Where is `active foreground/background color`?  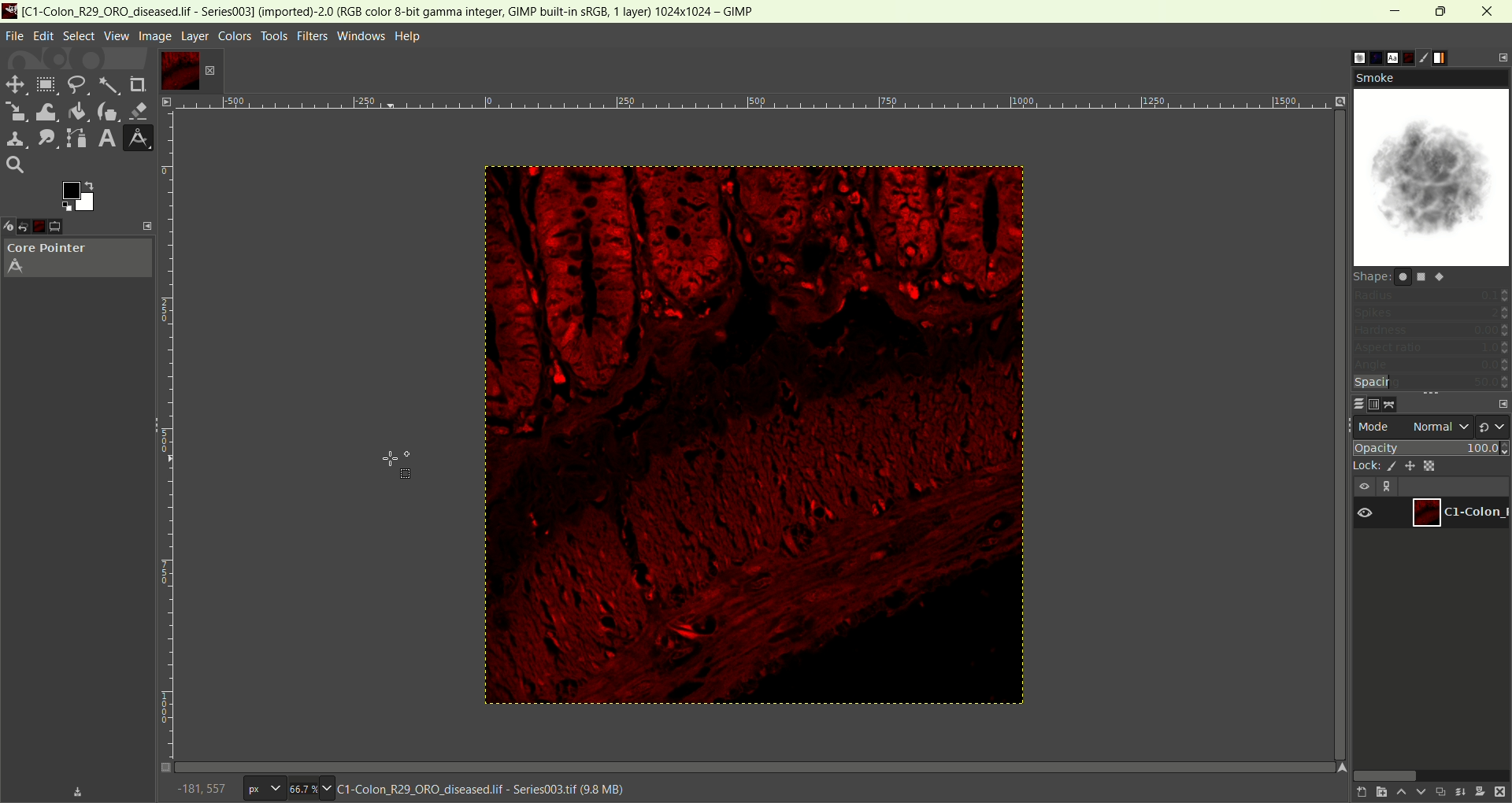
active foreground/background color is located at coordinates (76, 196).